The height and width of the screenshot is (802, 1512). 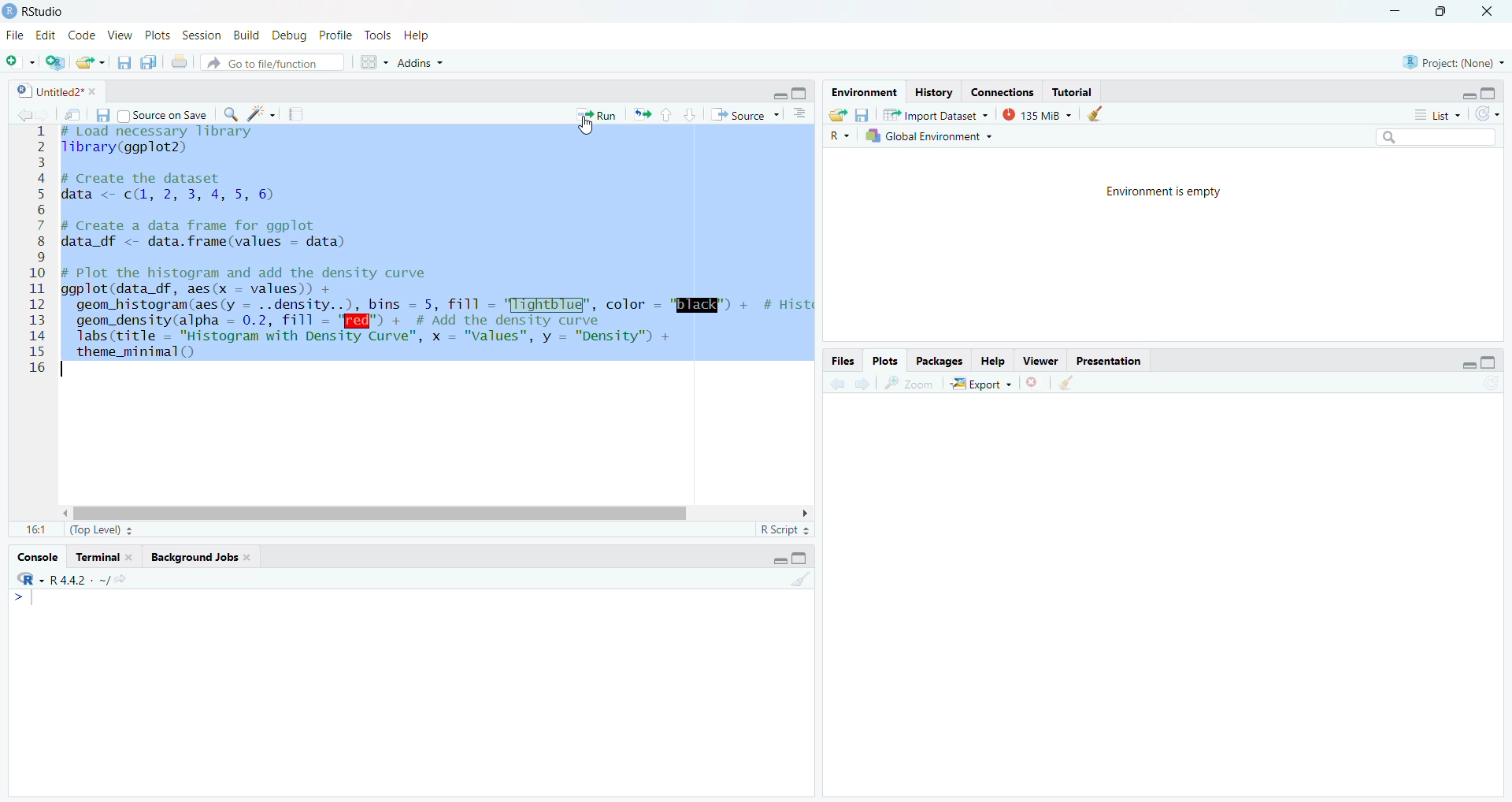 What do you see at coordinates (72, 114) in the screenshot?
I see `show in new window` at bounding box center [72, 114].